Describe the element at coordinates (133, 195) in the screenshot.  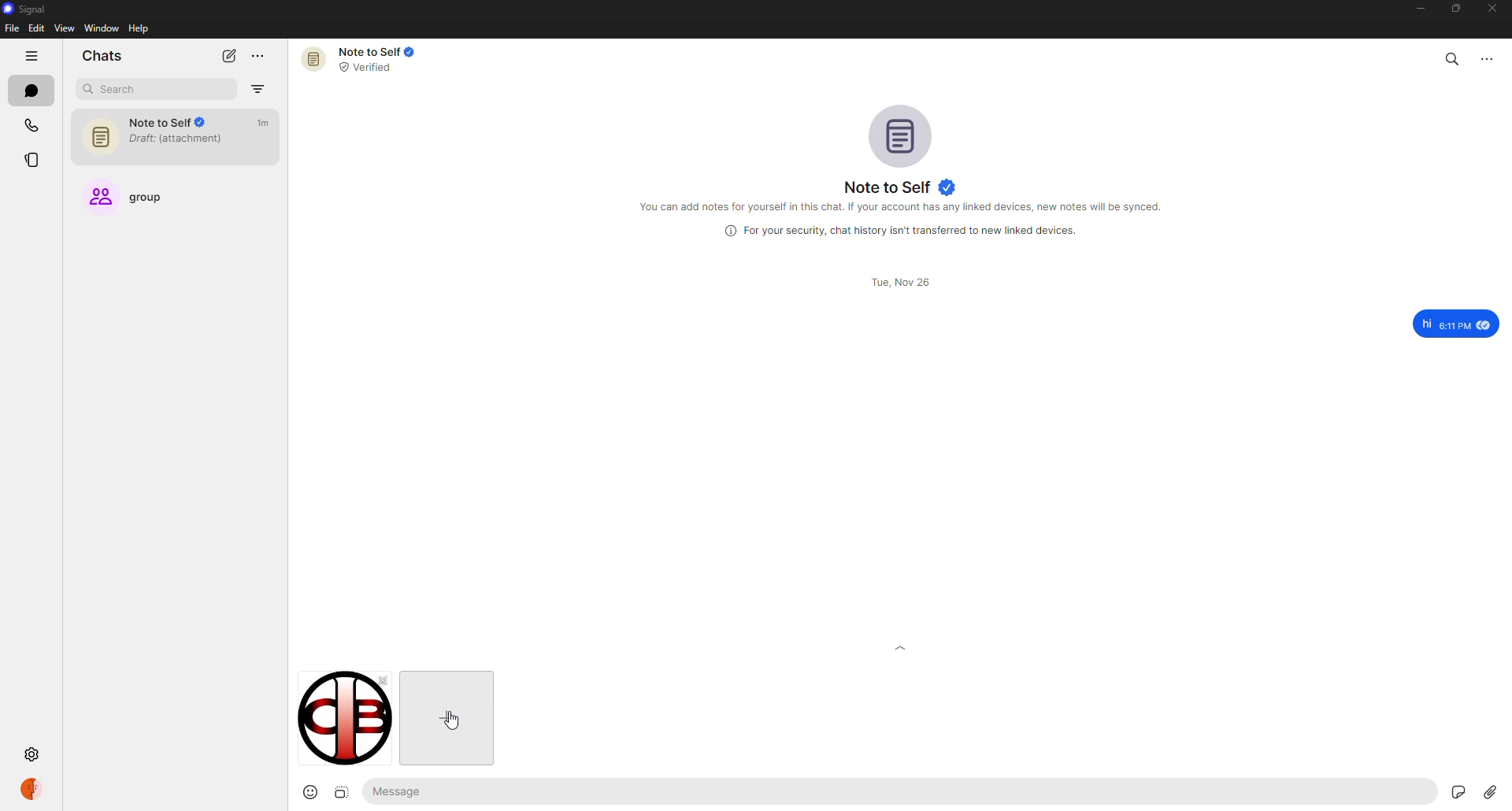
I see `group` at that location.